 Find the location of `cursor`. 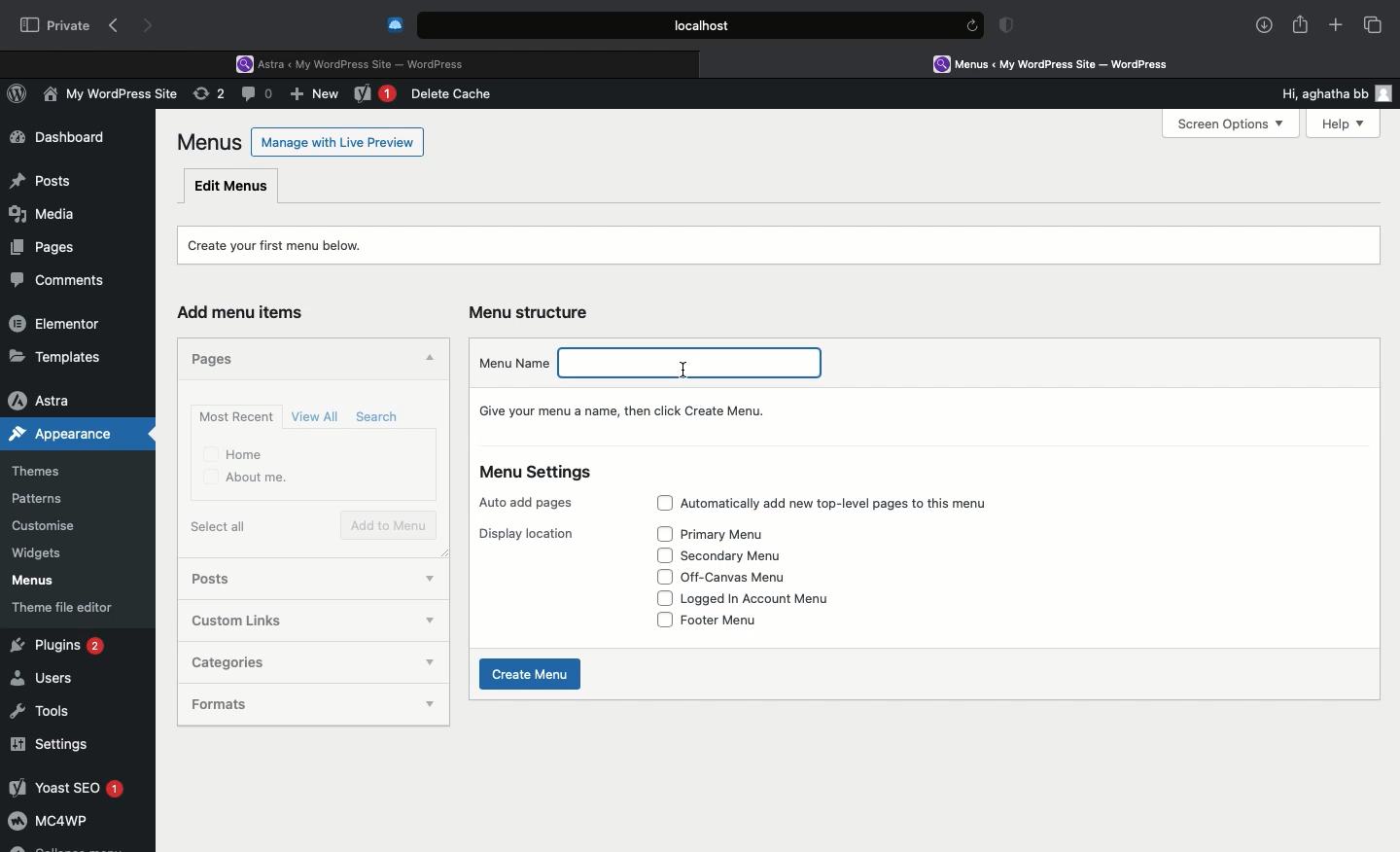

cursor is located at coordinates (682, 370).